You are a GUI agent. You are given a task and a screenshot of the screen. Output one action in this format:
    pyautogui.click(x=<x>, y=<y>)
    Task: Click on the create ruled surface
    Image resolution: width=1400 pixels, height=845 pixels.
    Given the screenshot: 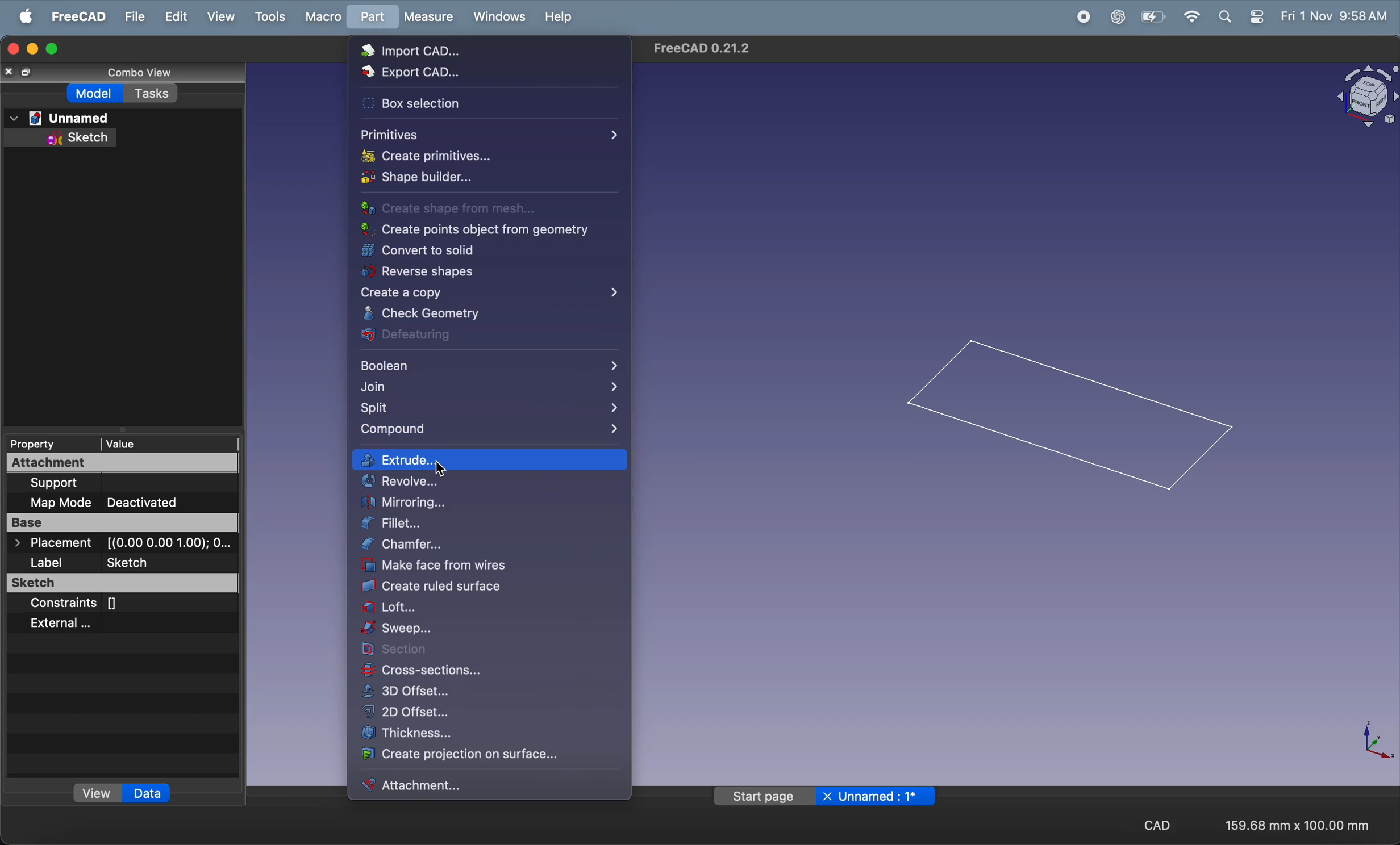 What is the action you would take?
    pyautogui.click(x=495, y=588)
    